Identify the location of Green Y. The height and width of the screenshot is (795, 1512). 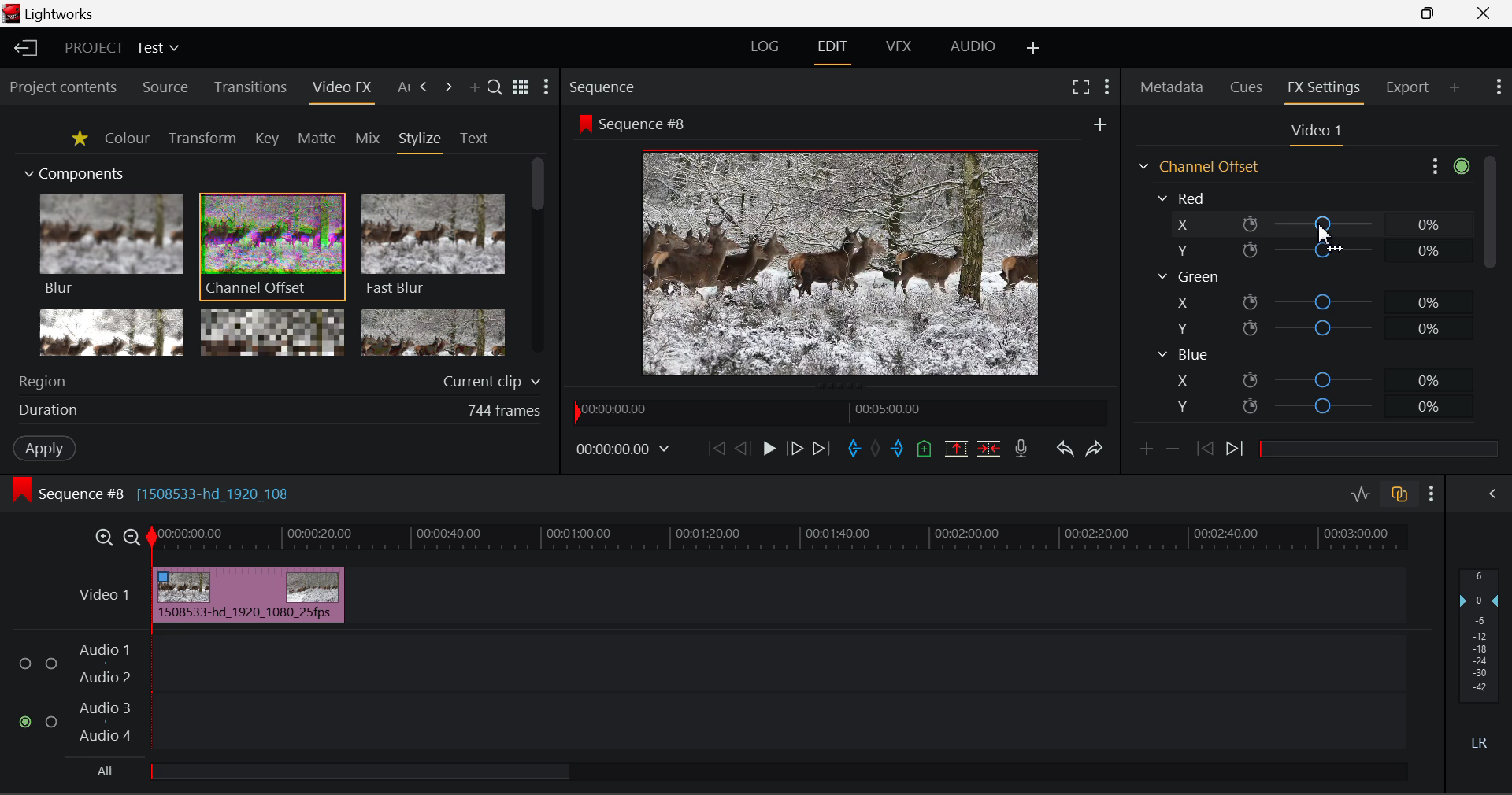
(1308, 327).